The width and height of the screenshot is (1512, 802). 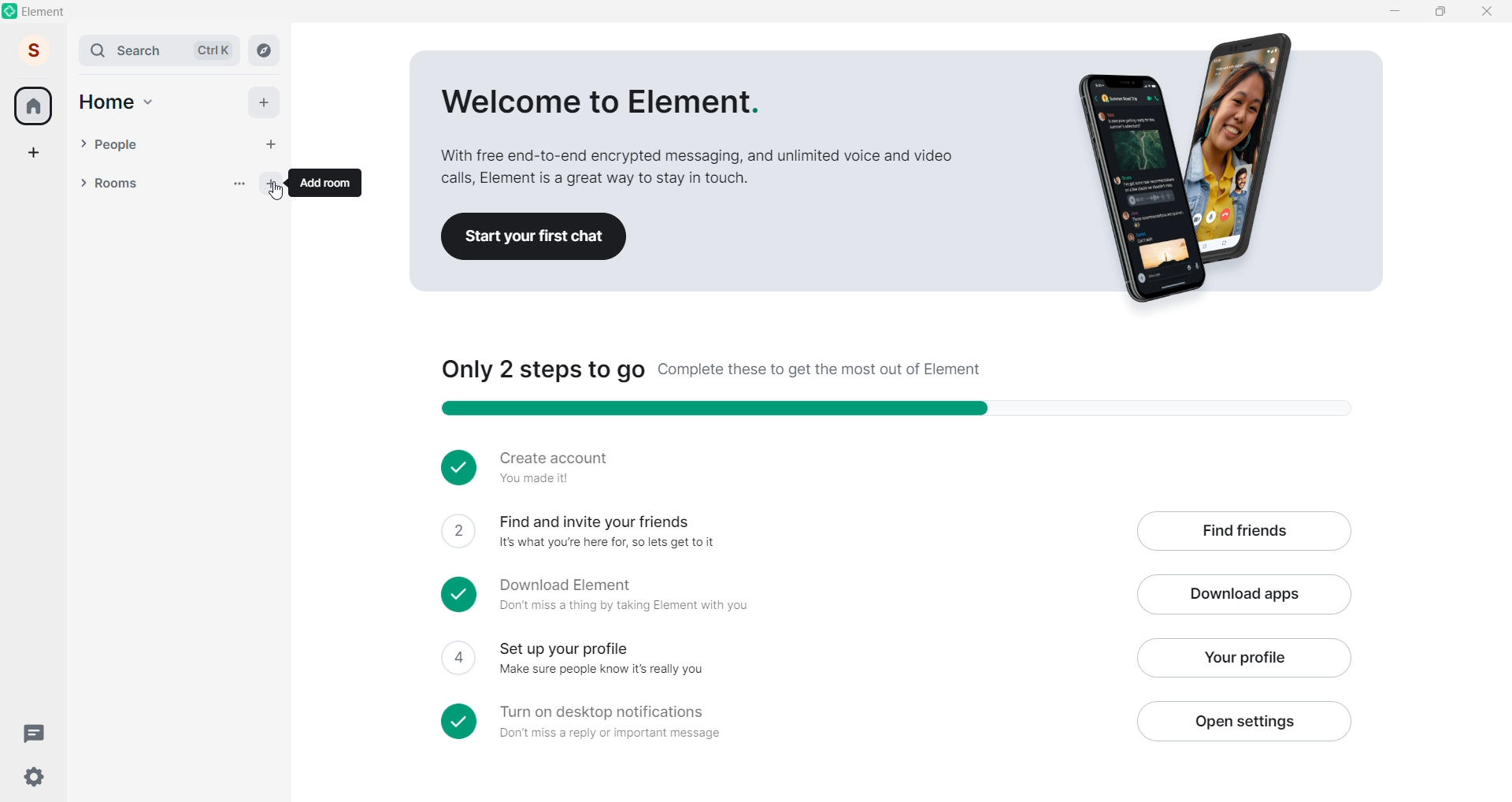 What do you see at coordinates (696, 138) in the screenshot?
I see `Welcome to Element.
With free end-to-end encrypted messaging, and unlimited voice and video
calls, Element is a great way to stay in touch.` at bounding box center [696, 138].